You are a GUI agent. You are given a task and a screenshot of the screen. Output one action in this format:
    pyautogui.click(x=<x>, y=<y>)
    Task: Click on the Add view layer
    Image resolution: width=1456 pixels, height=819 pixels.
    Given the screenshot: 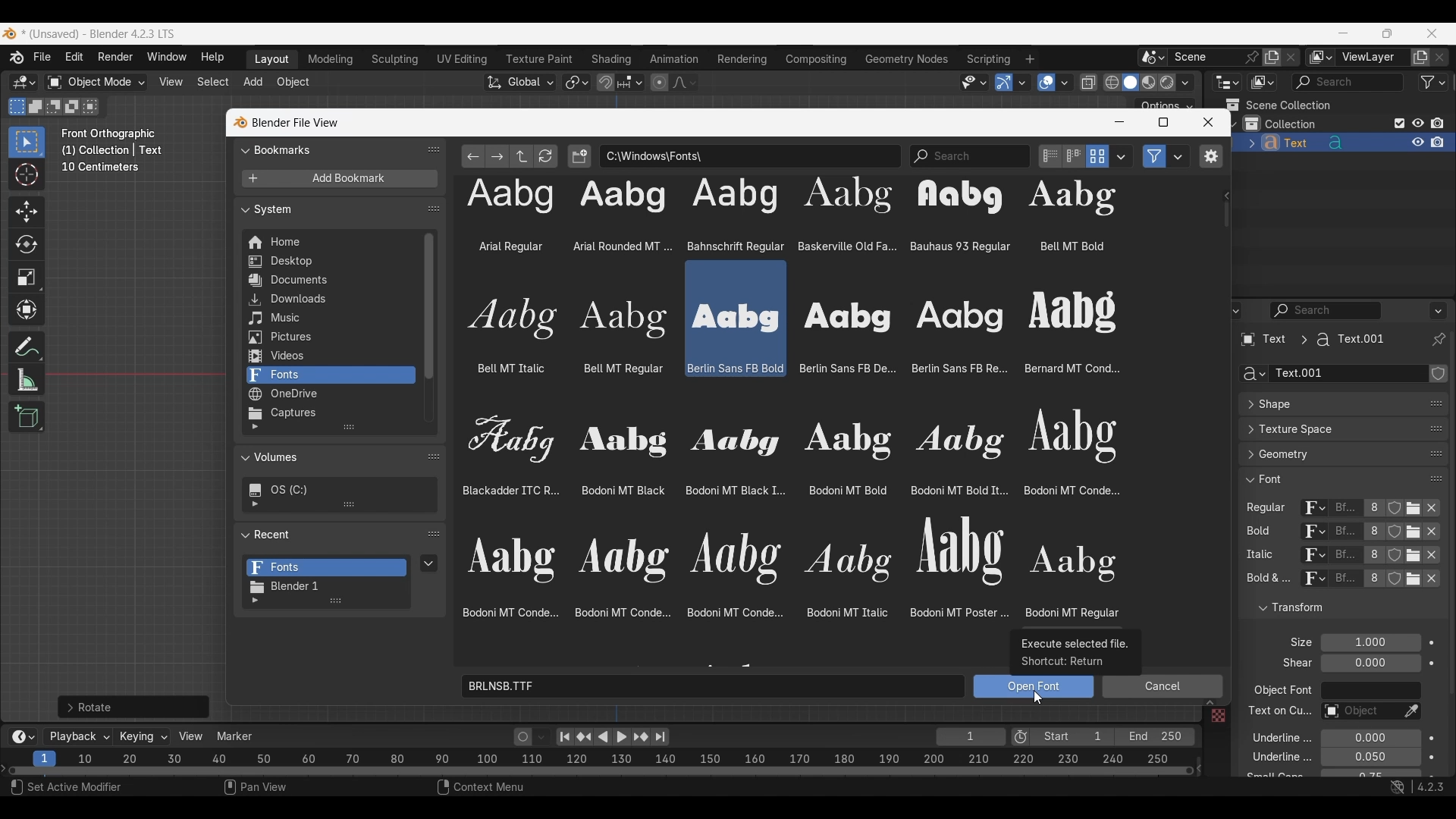 What is the action you would take?
    pyautogui.click(x=1420, y=58)
    